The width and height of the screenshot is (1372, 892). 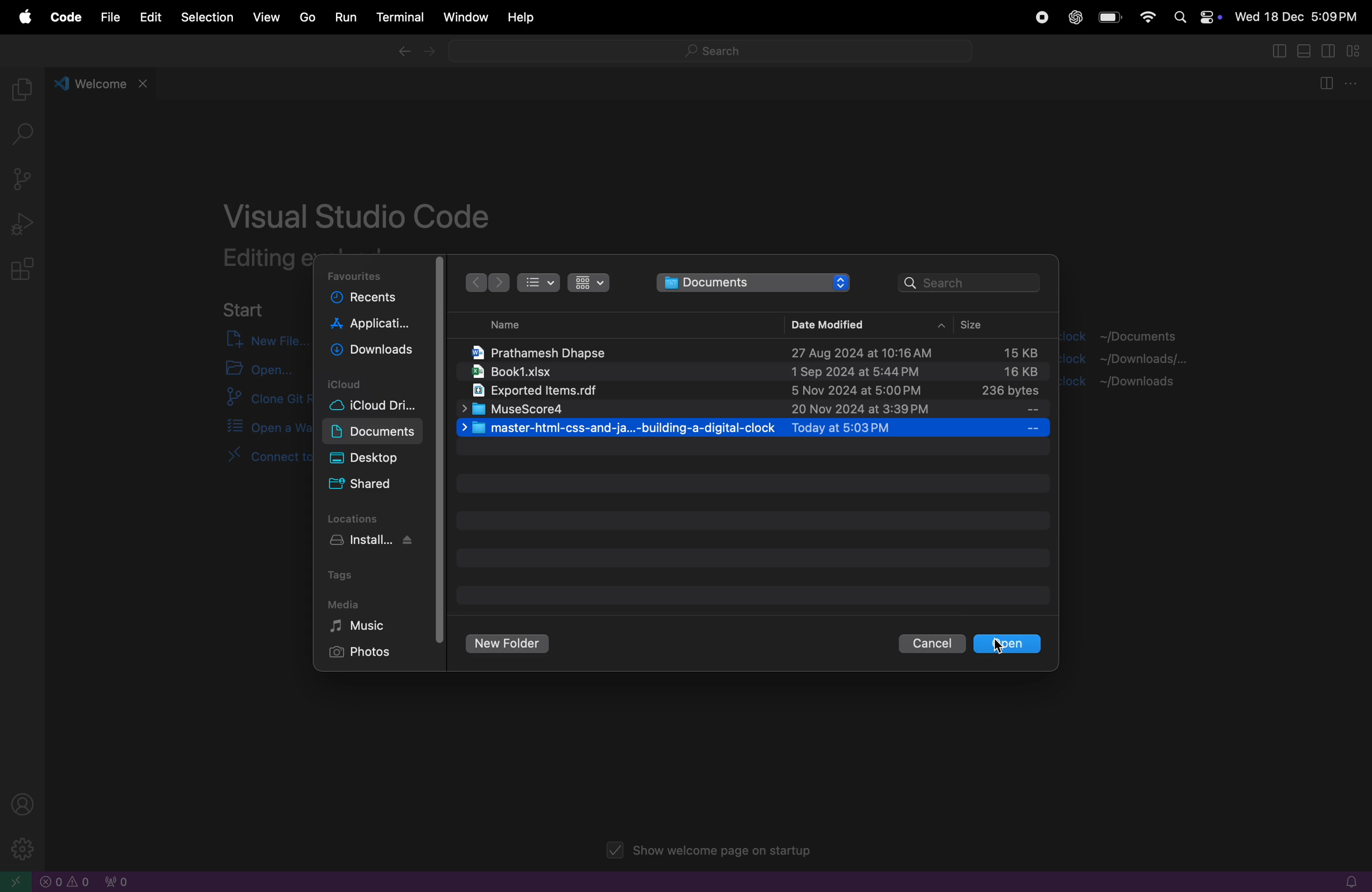 I want to click on name, so click(x=497, y=325).